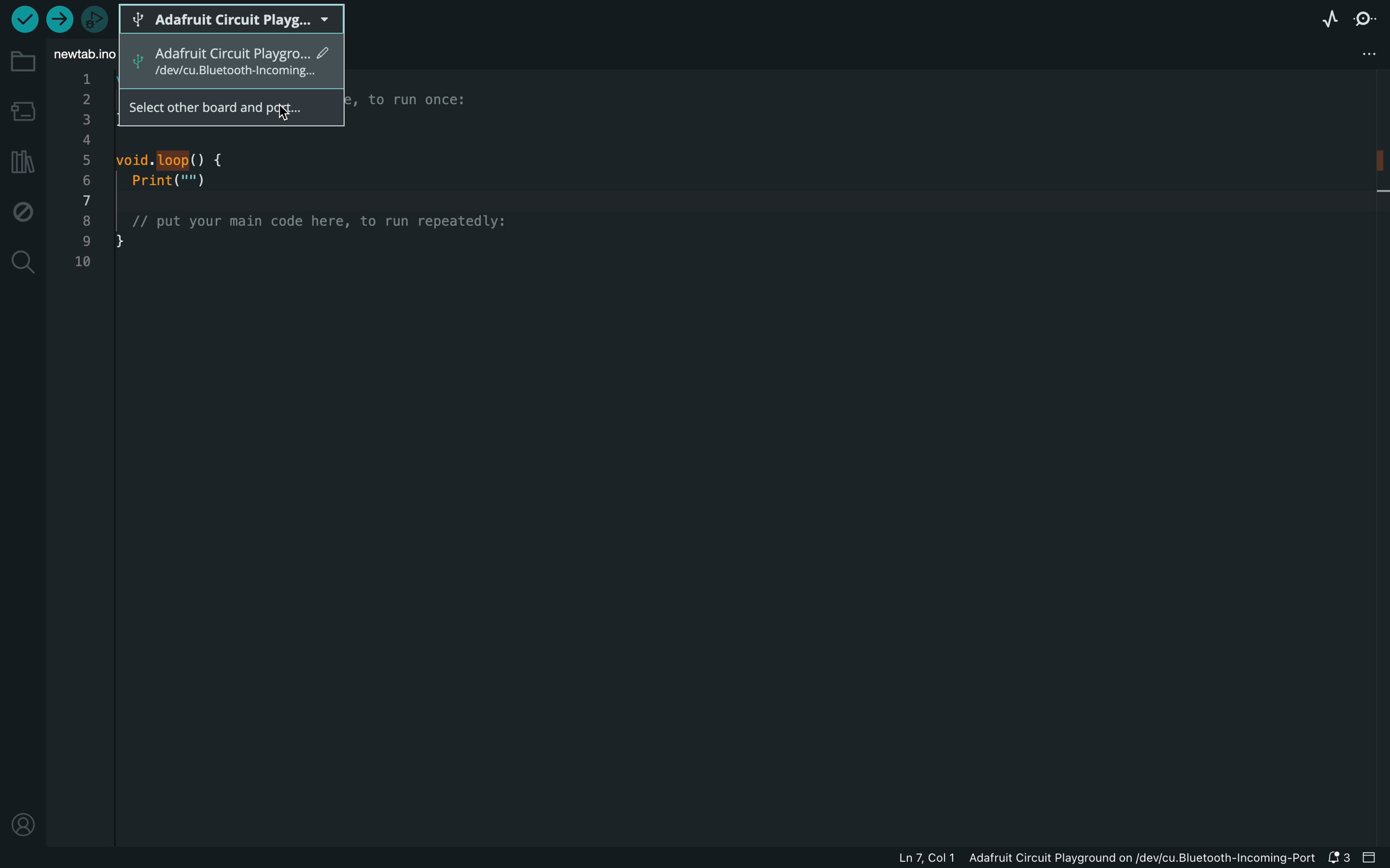 The height and width of the screenshot is (868, 1390). I want to click on file setting, so click(1369, 54).